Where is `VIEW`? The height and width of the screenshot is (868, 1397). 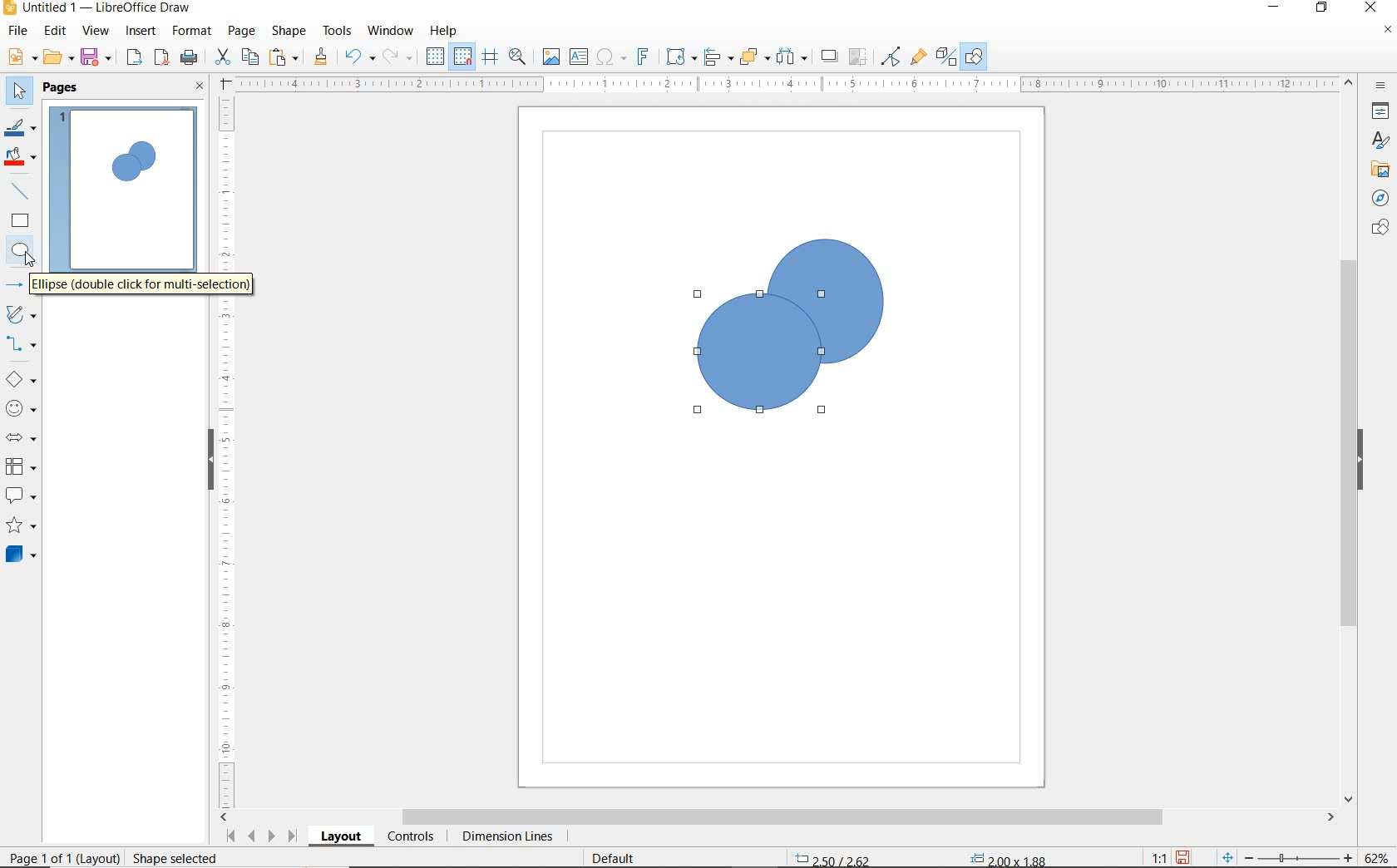 VIEW is located at coordinates (96, 32).